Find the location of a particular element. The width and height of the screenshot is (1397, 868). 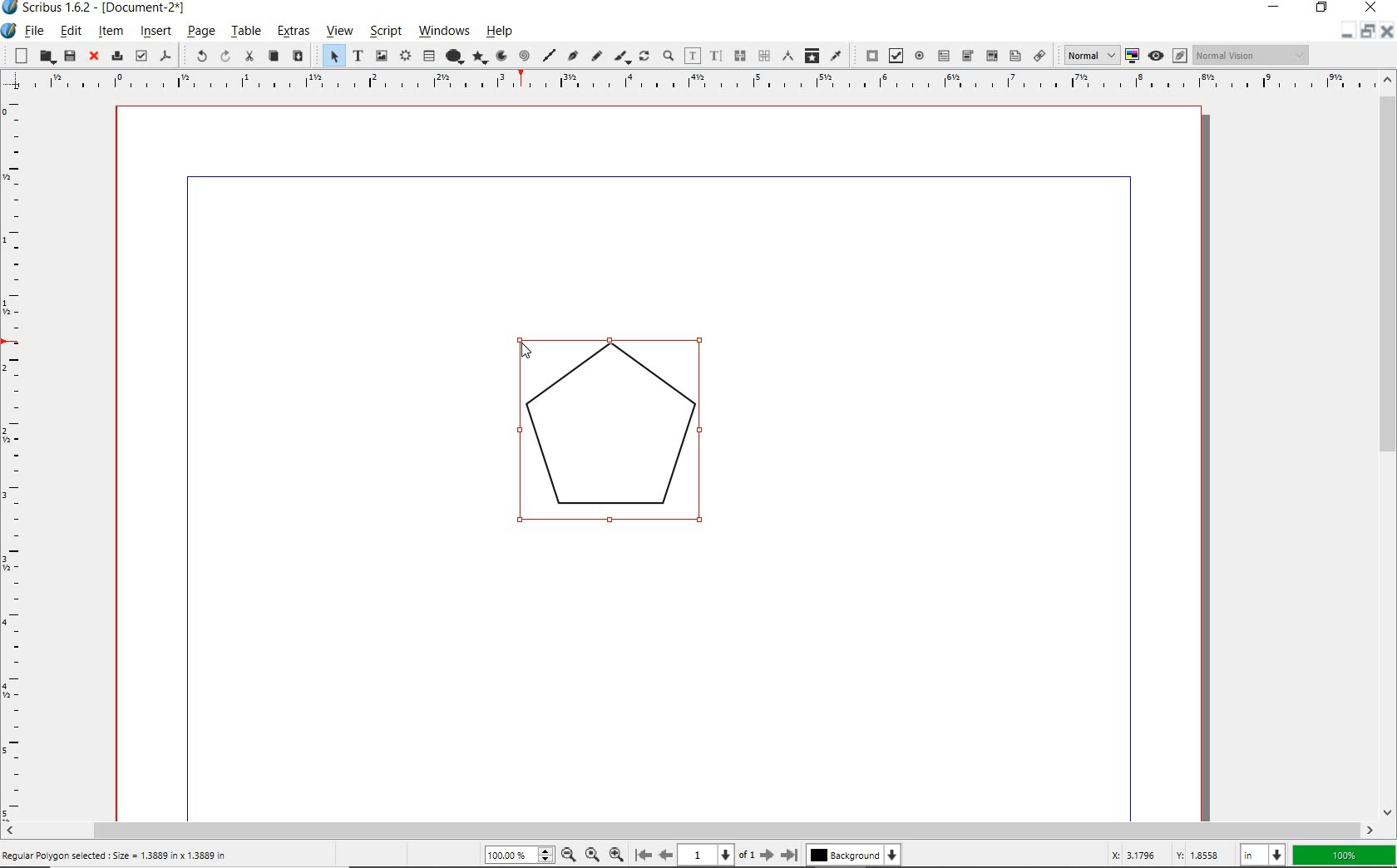

save is located at coordinates (69, 55).